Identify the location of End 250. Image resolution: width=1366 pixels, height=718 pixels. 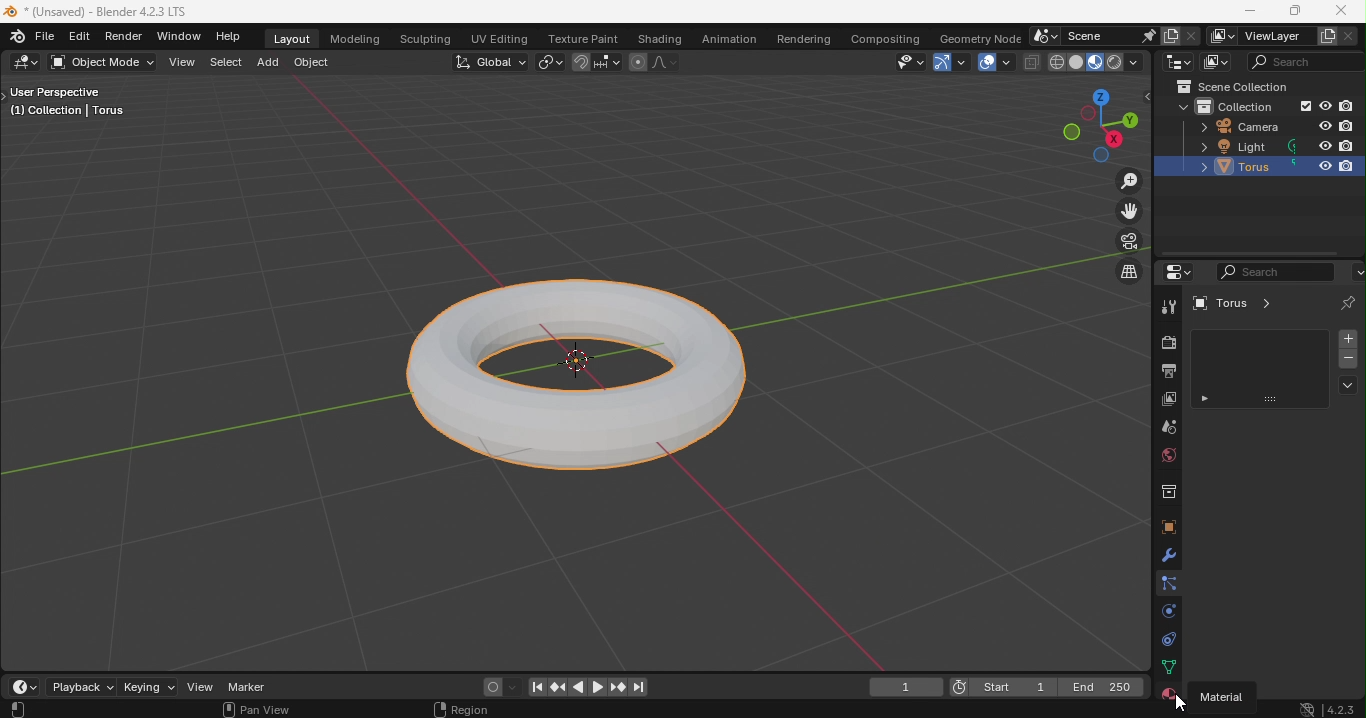
(1099, 688).